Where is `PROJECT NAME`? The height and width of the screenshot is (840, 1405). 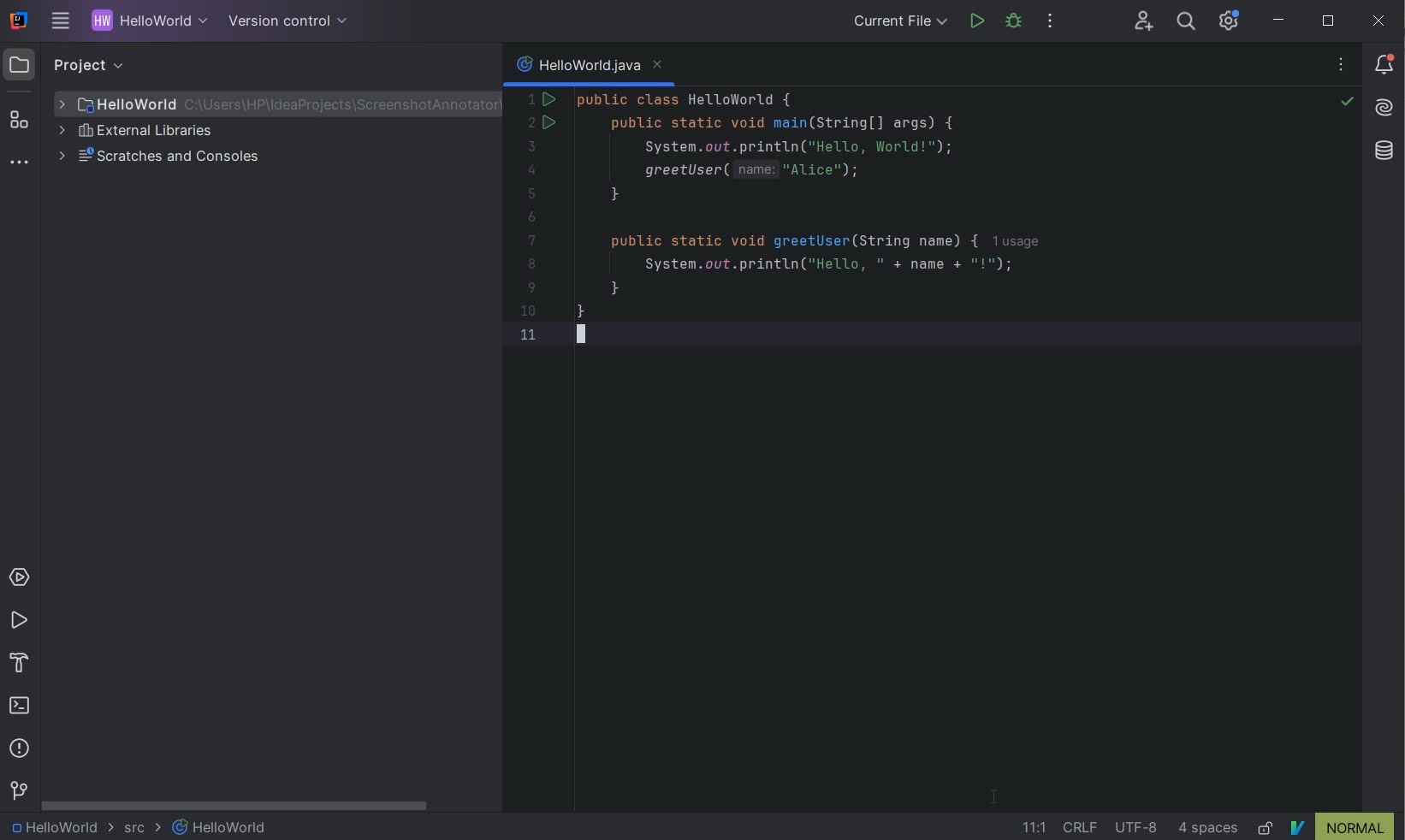
PROJECT NAME is located at coordinates (145, 22).